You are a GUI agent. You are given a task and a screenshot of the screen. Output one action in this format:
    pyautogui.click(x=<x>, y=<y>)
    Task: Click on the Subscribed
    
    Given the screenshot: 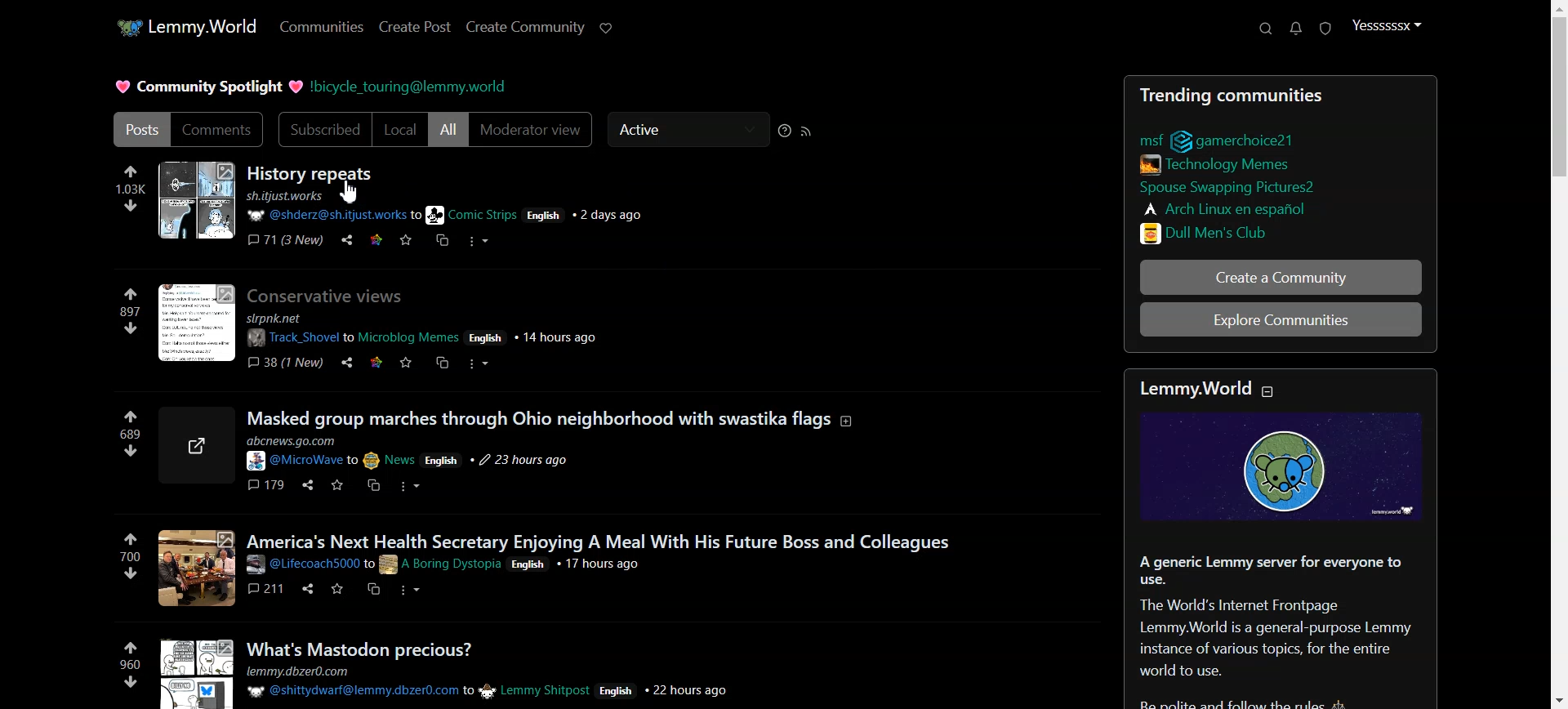 What is the action you would take?
    pyautogui.click(x=323, y=129)
    